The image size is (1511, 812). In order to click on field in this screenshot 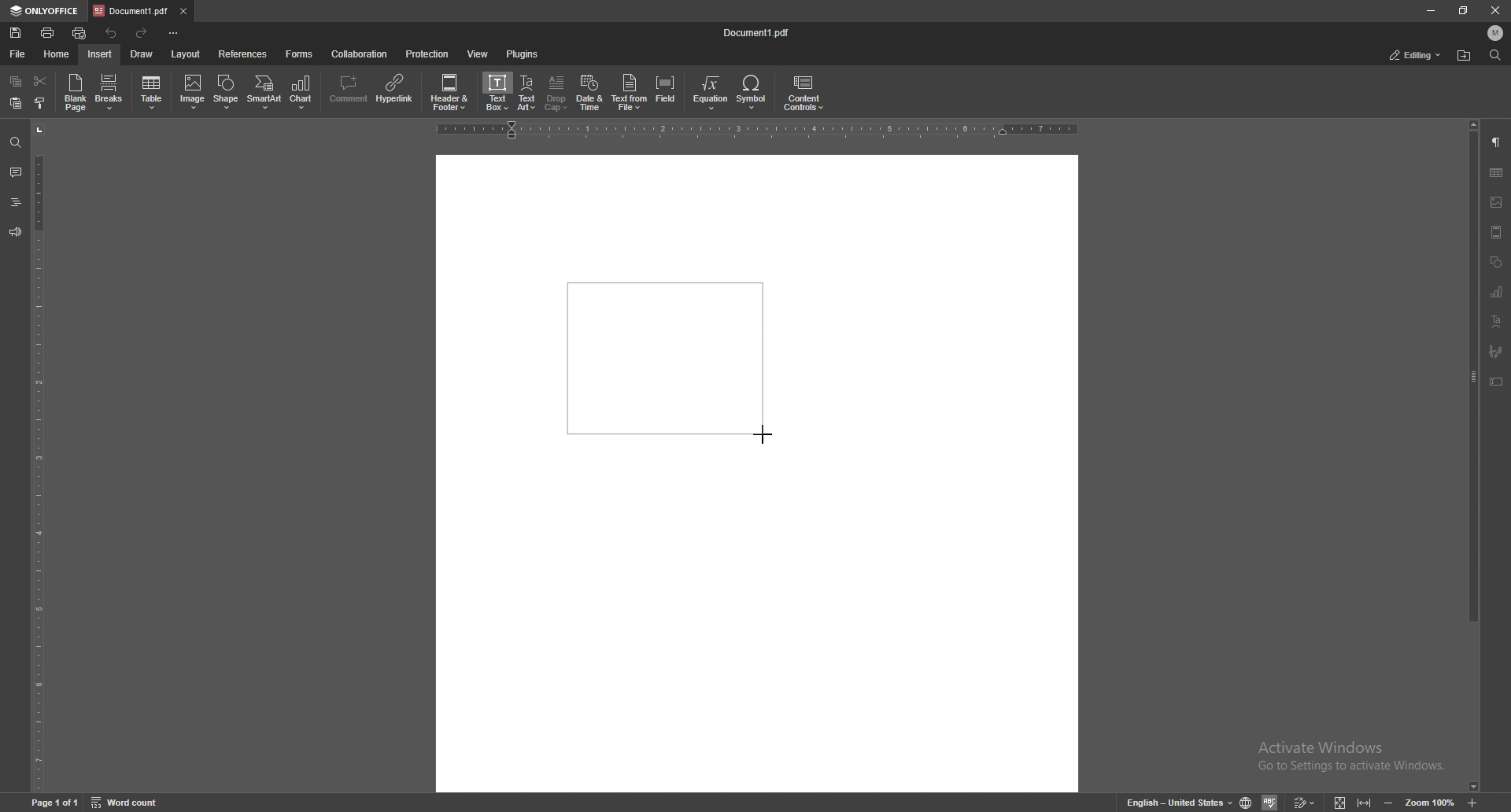, I will do `click(667, 92)`.